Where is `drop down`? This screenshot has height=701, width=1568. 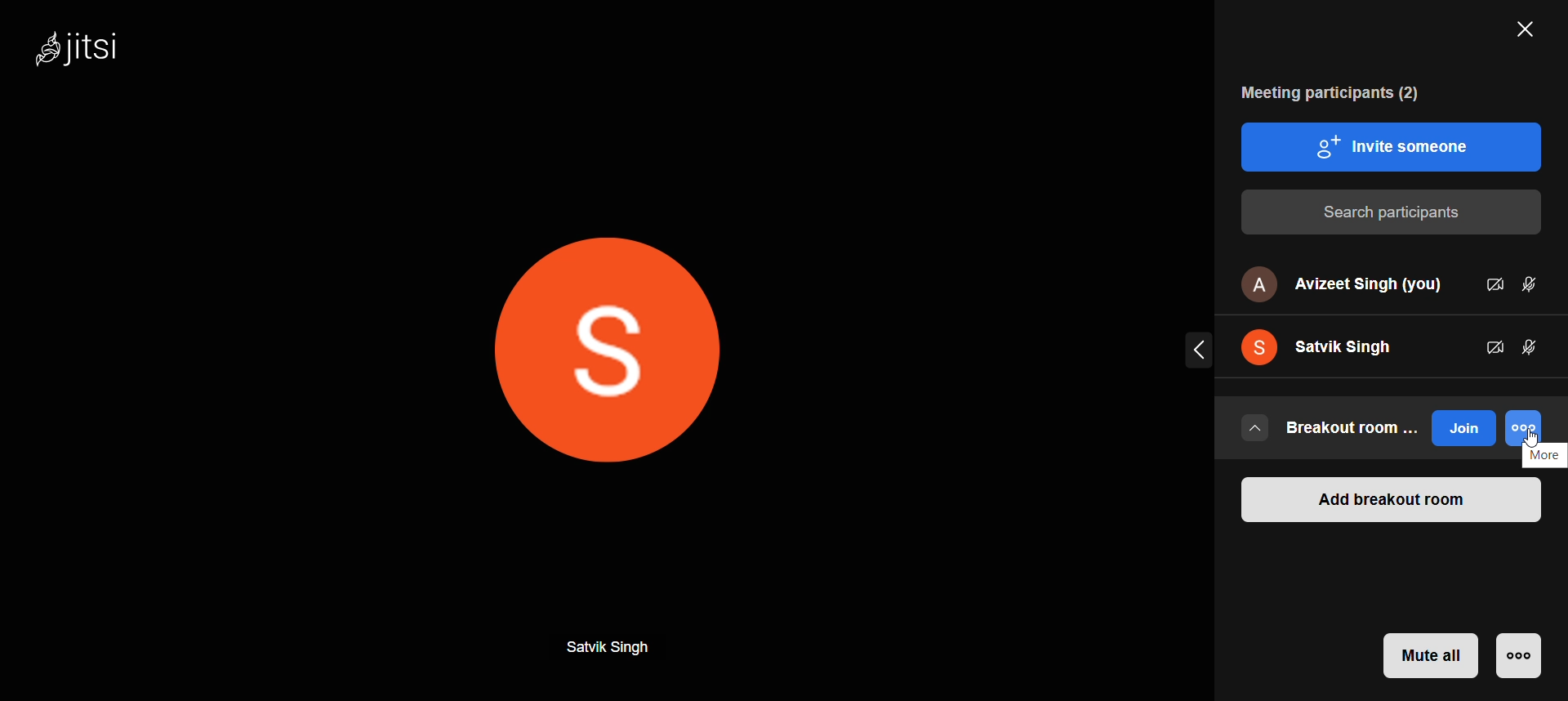
drop down is located at coordinates (1255, 426).